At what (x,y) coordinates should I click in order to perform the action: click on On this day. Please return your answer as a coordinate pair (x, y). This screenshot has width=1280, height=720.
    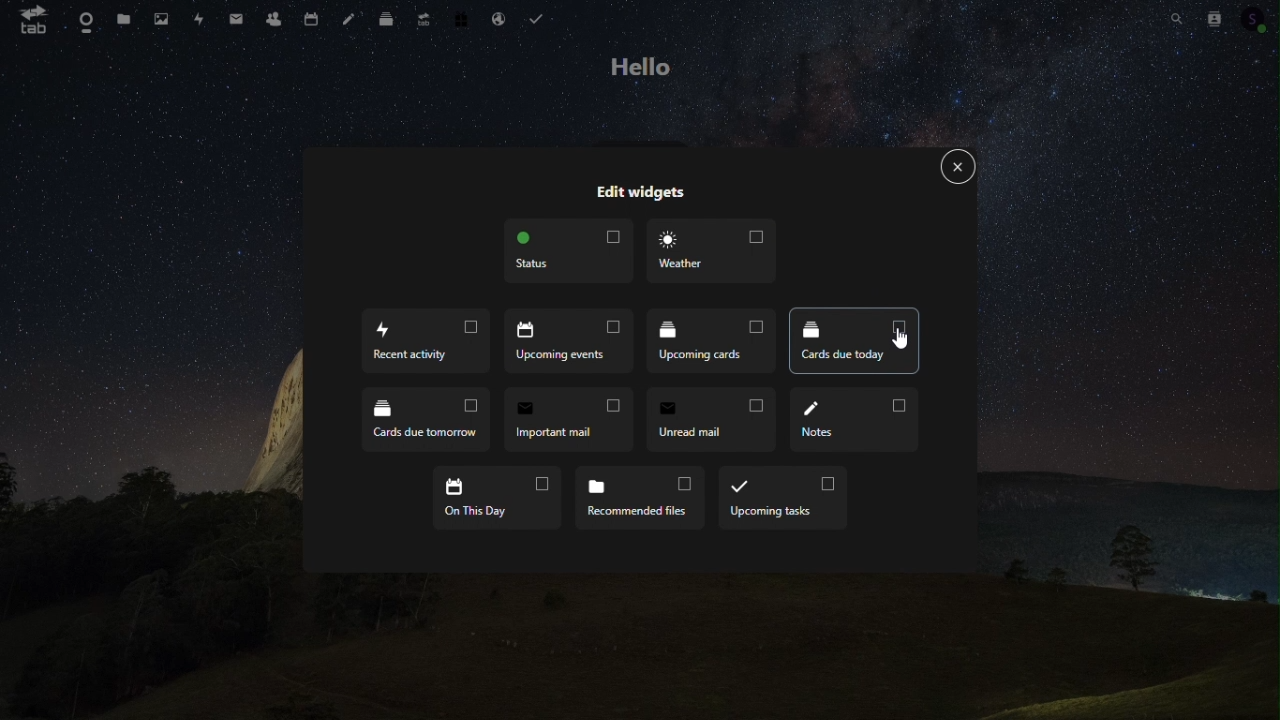
    Looking at the image, I should click on (494, 499).